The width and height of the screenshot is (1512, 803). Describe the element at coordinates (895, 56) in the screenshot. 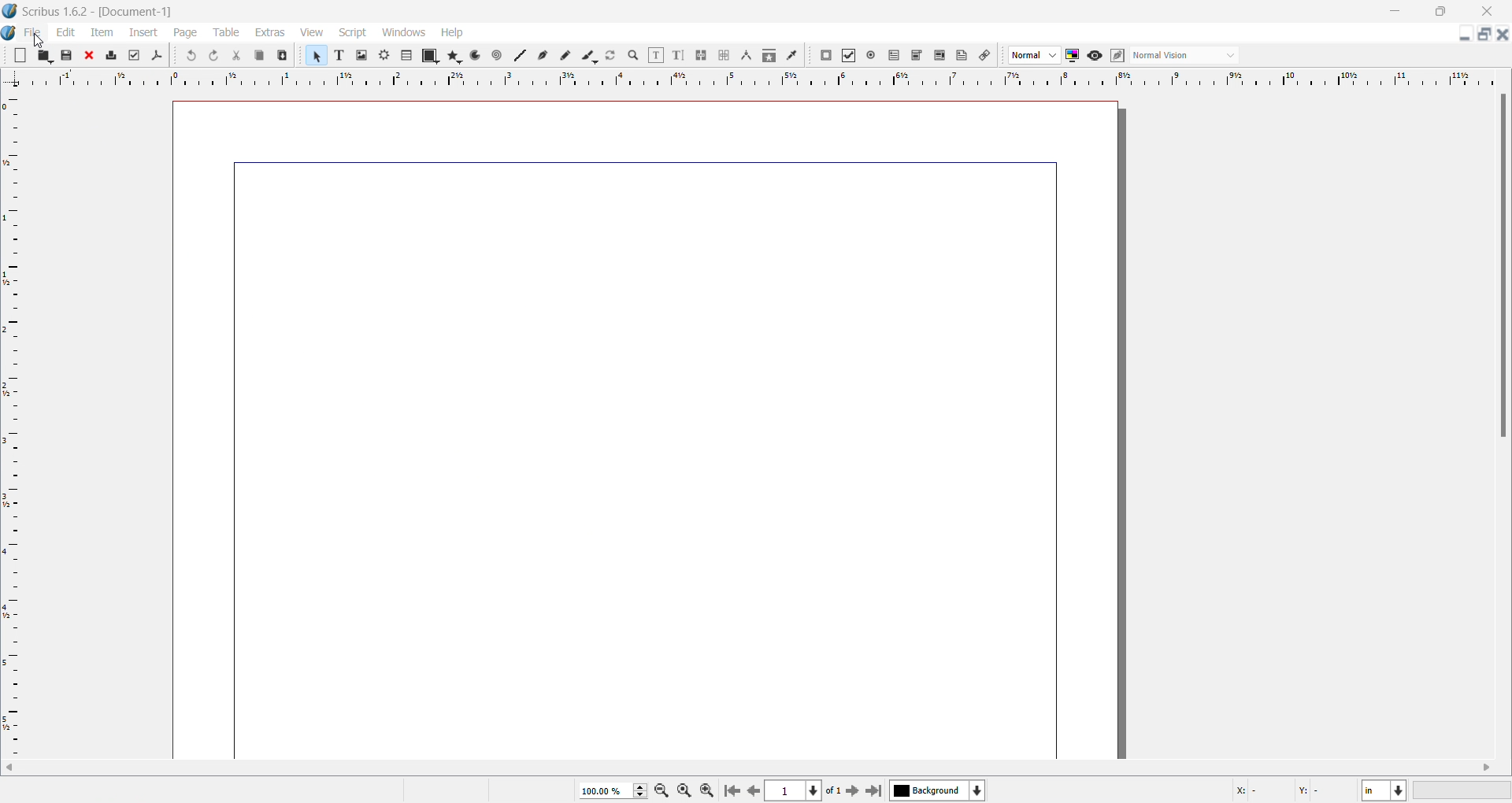

I see `Icon` at that location.